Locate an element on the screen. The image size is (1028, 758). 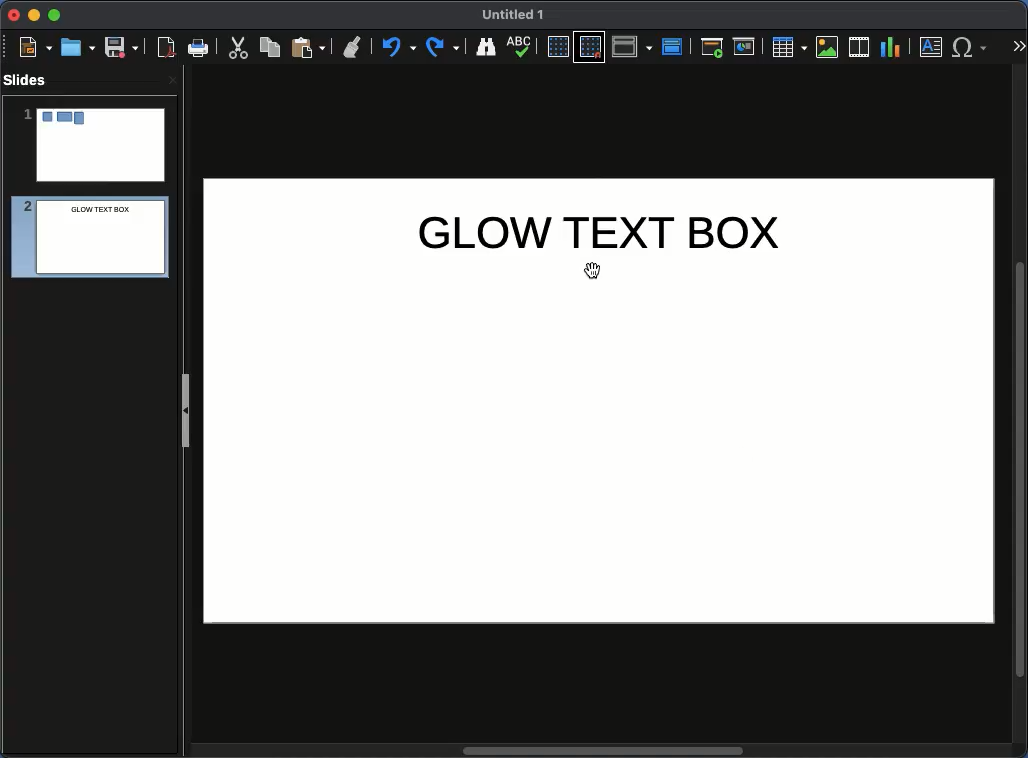
Find is located at coordinates (485, 46).